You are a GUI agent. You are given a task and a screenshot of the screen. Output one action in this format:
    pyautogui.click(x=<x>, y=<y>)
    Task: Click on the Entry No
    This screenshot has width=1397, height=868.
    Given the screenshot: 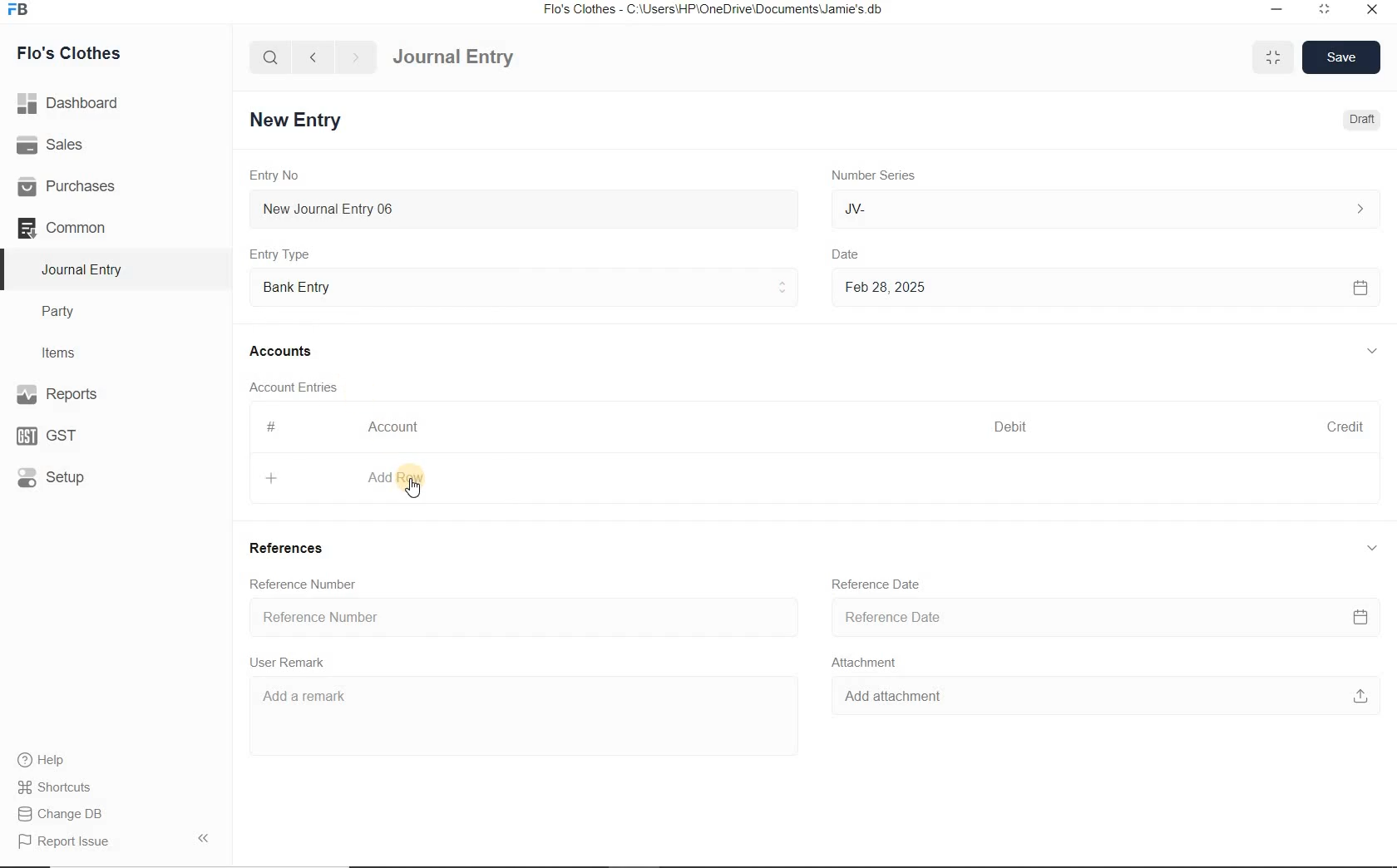 What is the action you would take?
    pyautogui.click(x=277, y=175)
    